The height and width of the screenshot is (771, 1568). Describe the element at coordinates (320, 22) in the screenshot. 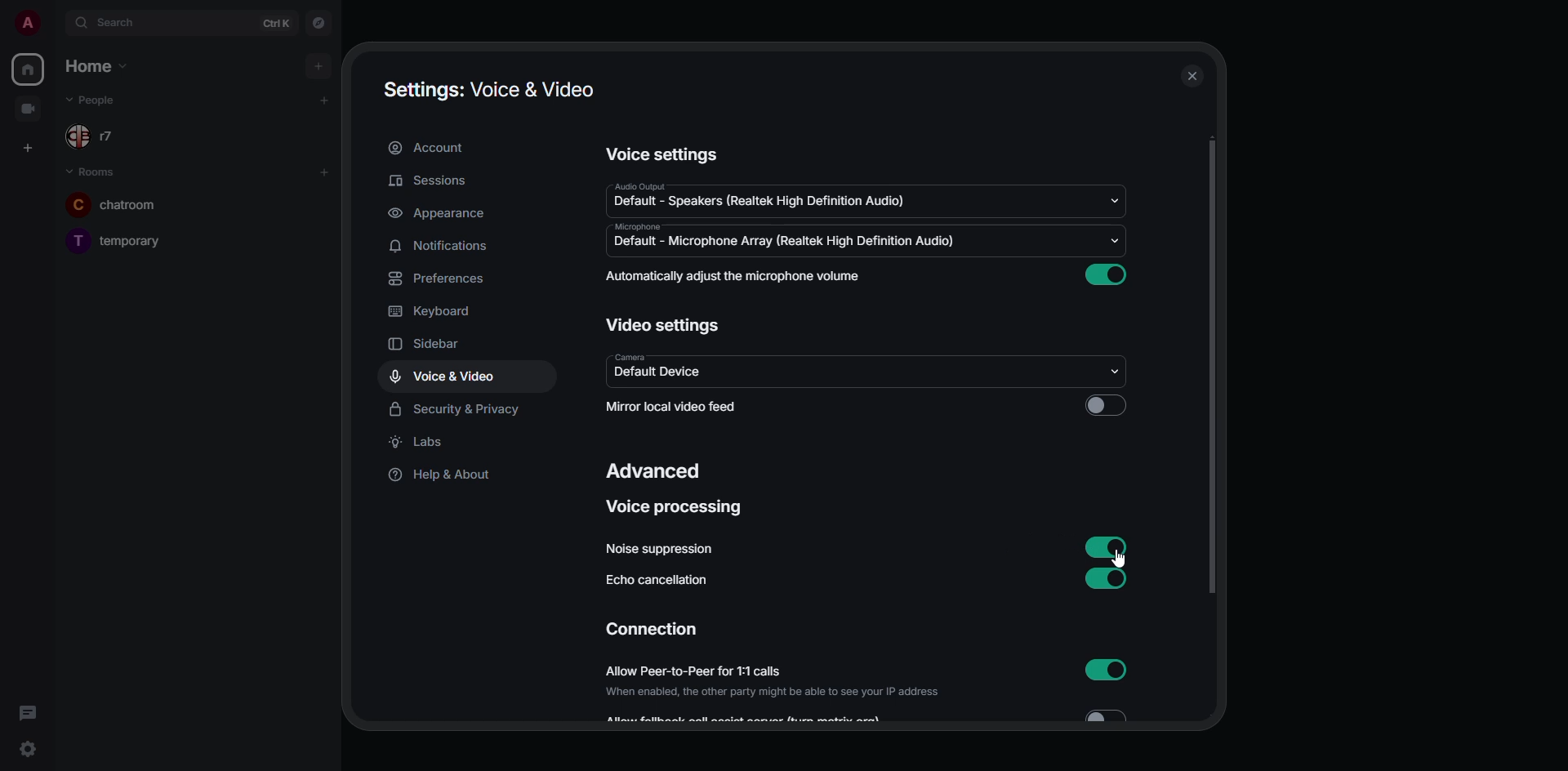

I see `navigator` at that location.